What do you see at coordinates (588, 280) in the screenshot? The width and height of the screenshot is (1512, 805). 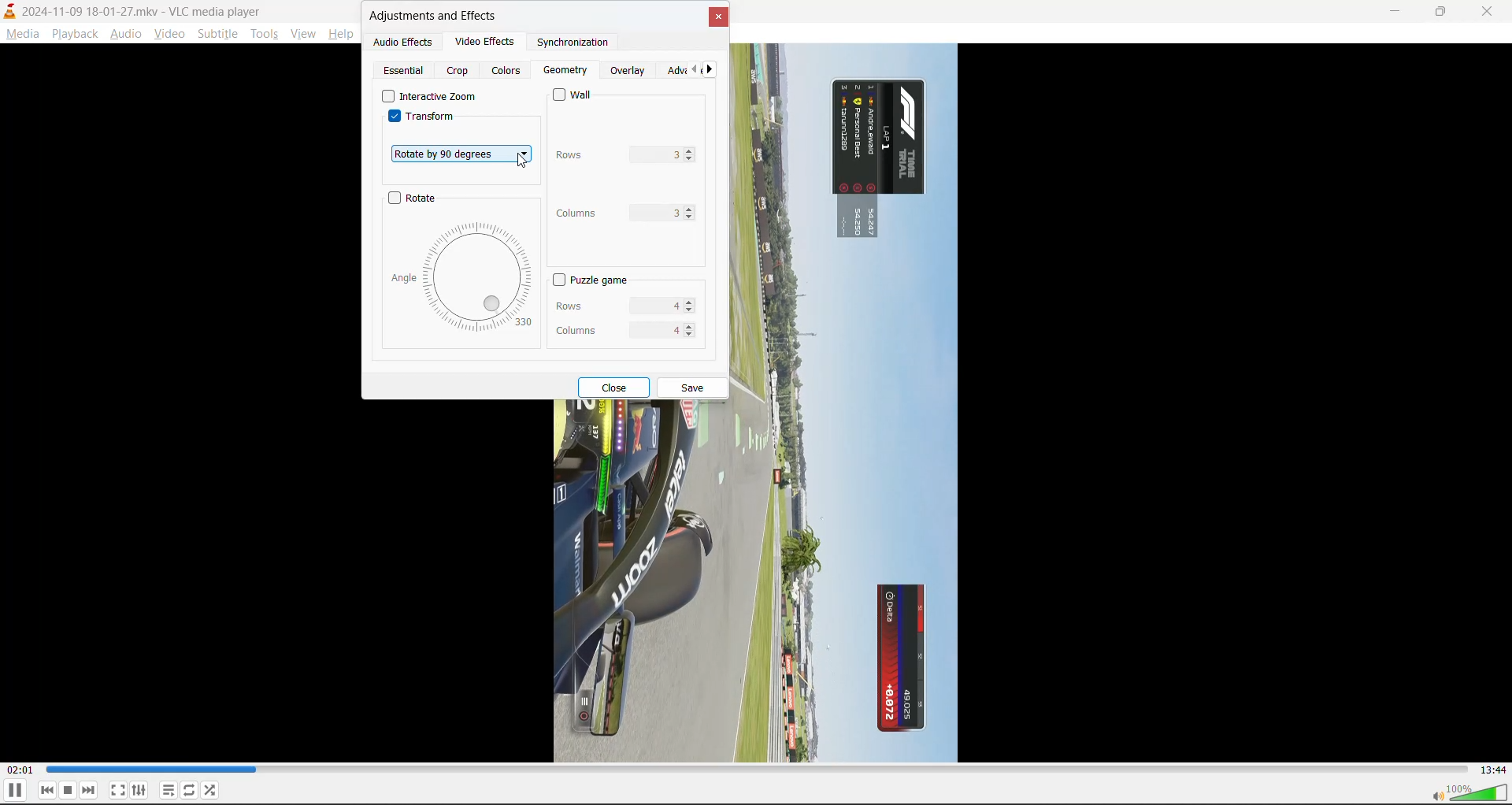 I see `puzzle game` at bounding box center [588, 280].